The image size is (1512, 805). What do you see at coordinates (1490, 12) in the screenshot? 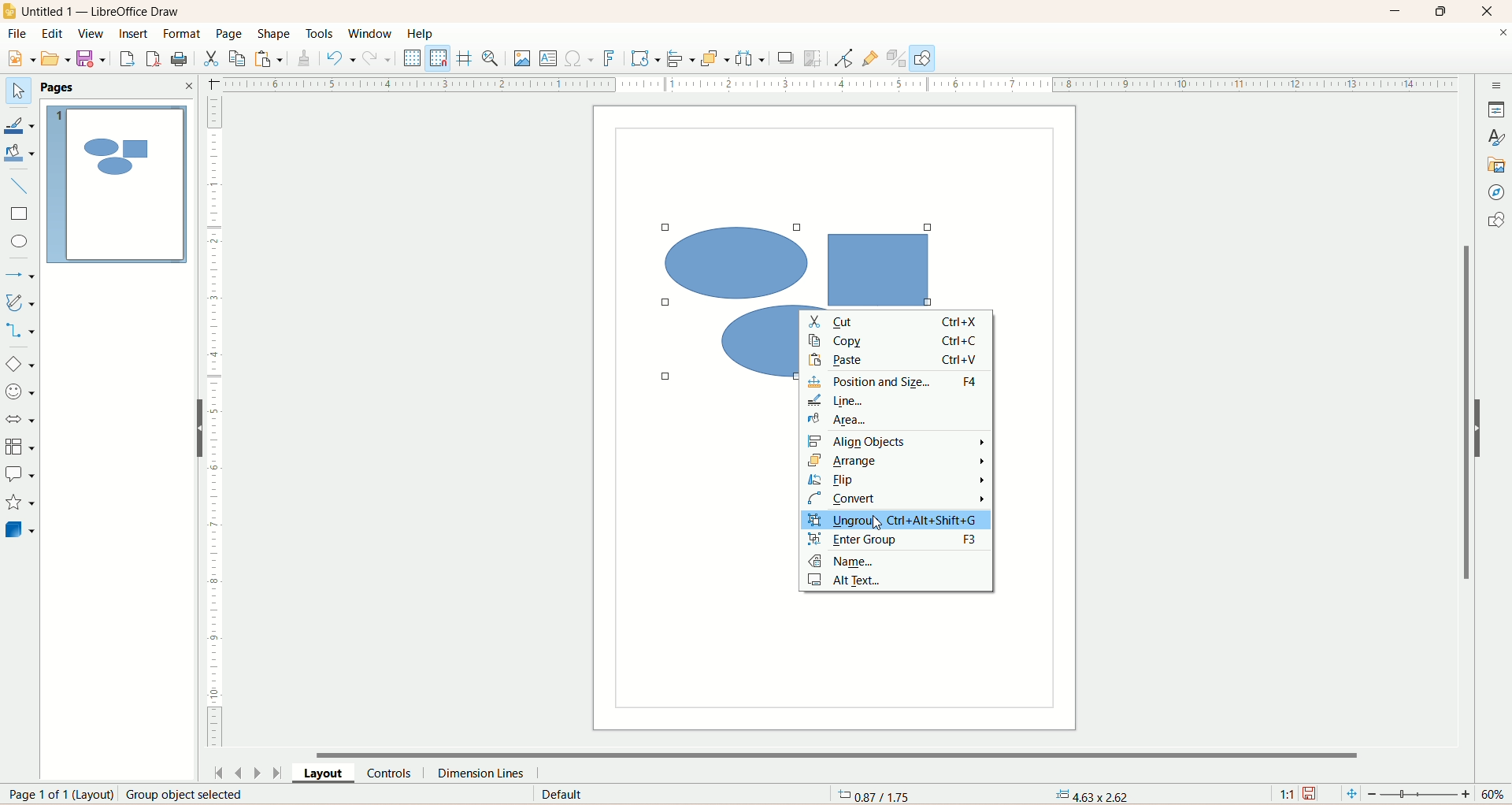
I see `close` at bounding box center [1490, 12].